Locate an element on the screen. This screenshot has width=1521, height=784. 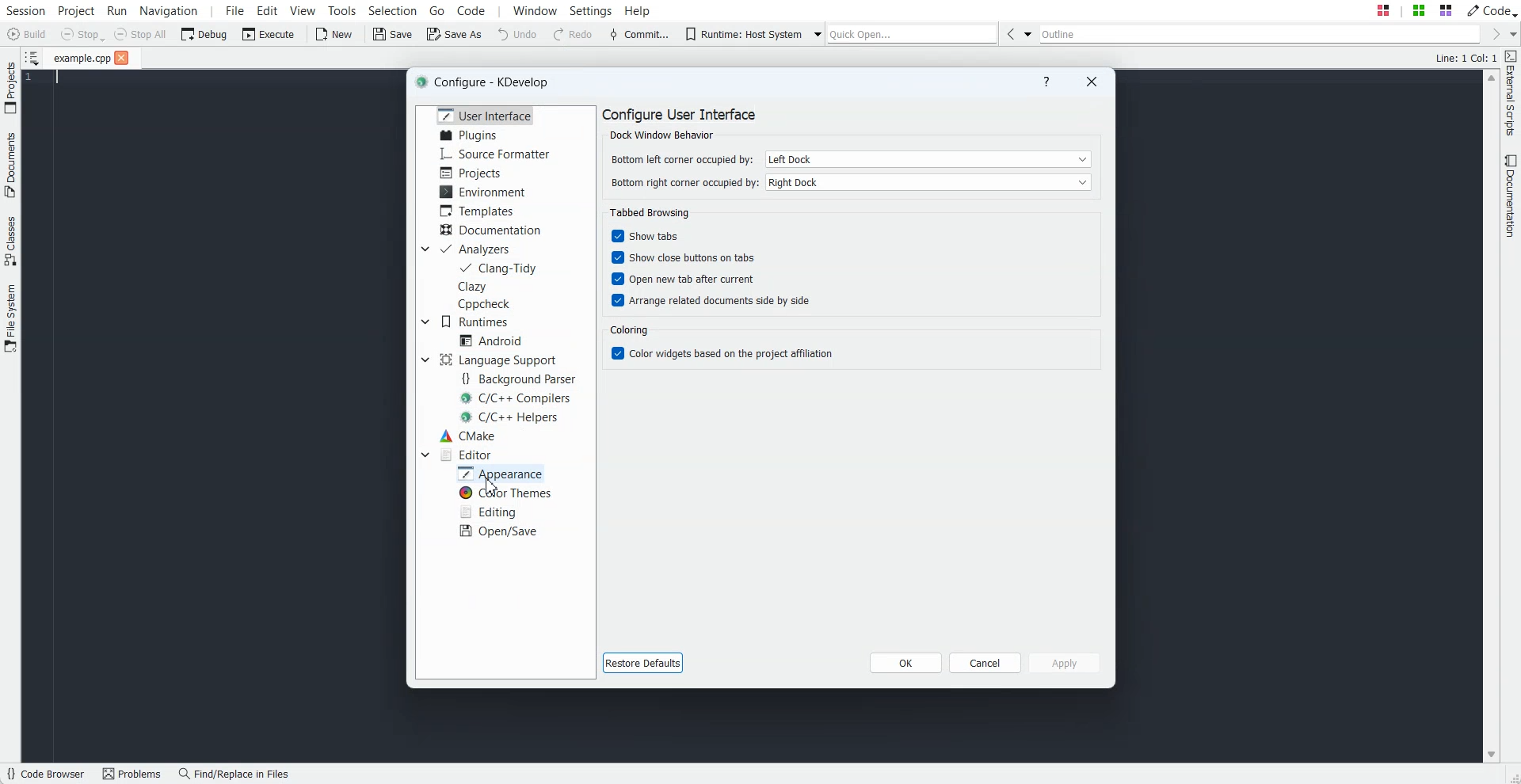
Drop down box is located at coordinates (423, 360).